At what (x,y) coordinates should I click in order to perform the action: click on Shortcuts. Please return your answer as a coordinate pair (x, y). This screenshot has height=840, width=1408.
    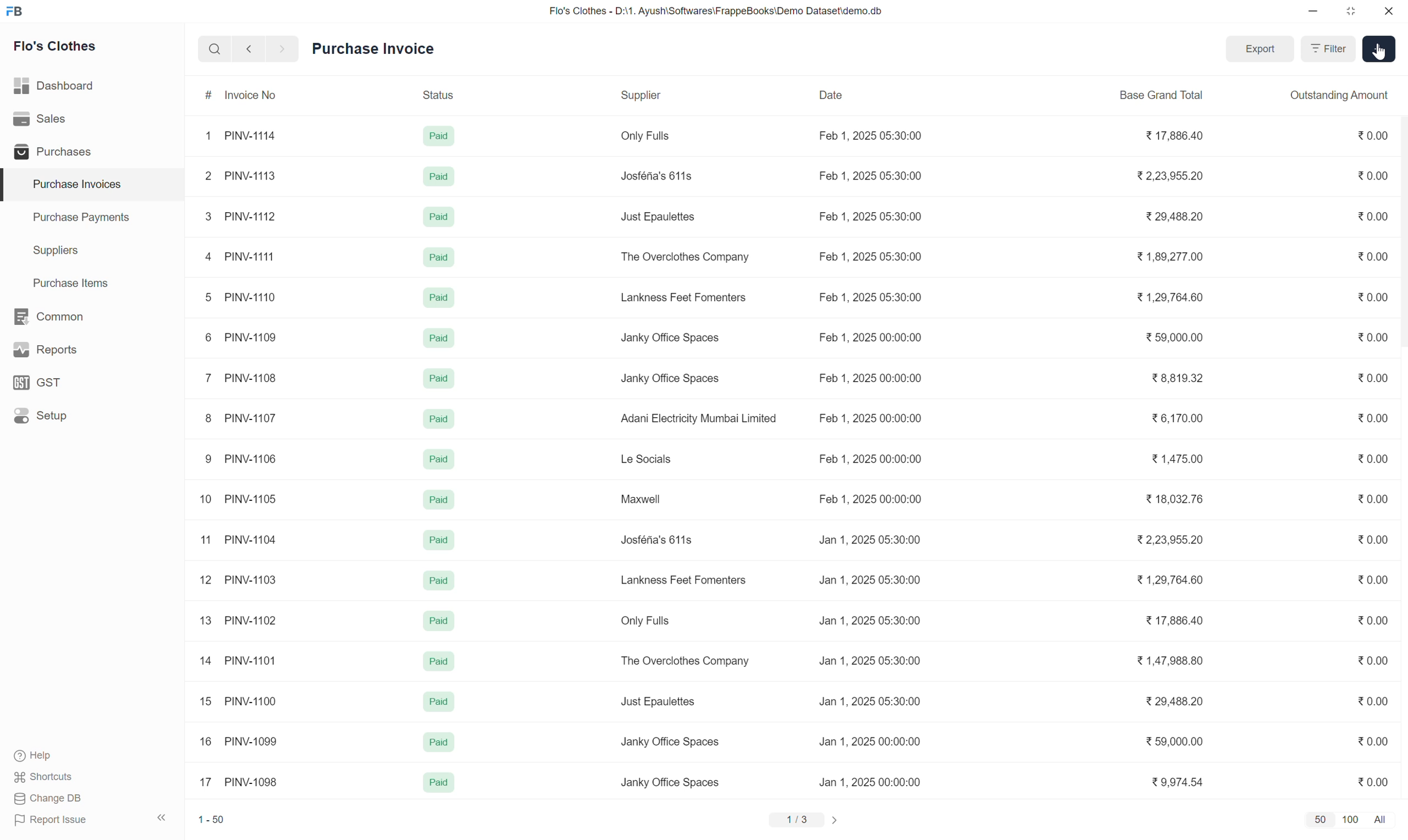
    Looking at the image, I should click on (45, 777).